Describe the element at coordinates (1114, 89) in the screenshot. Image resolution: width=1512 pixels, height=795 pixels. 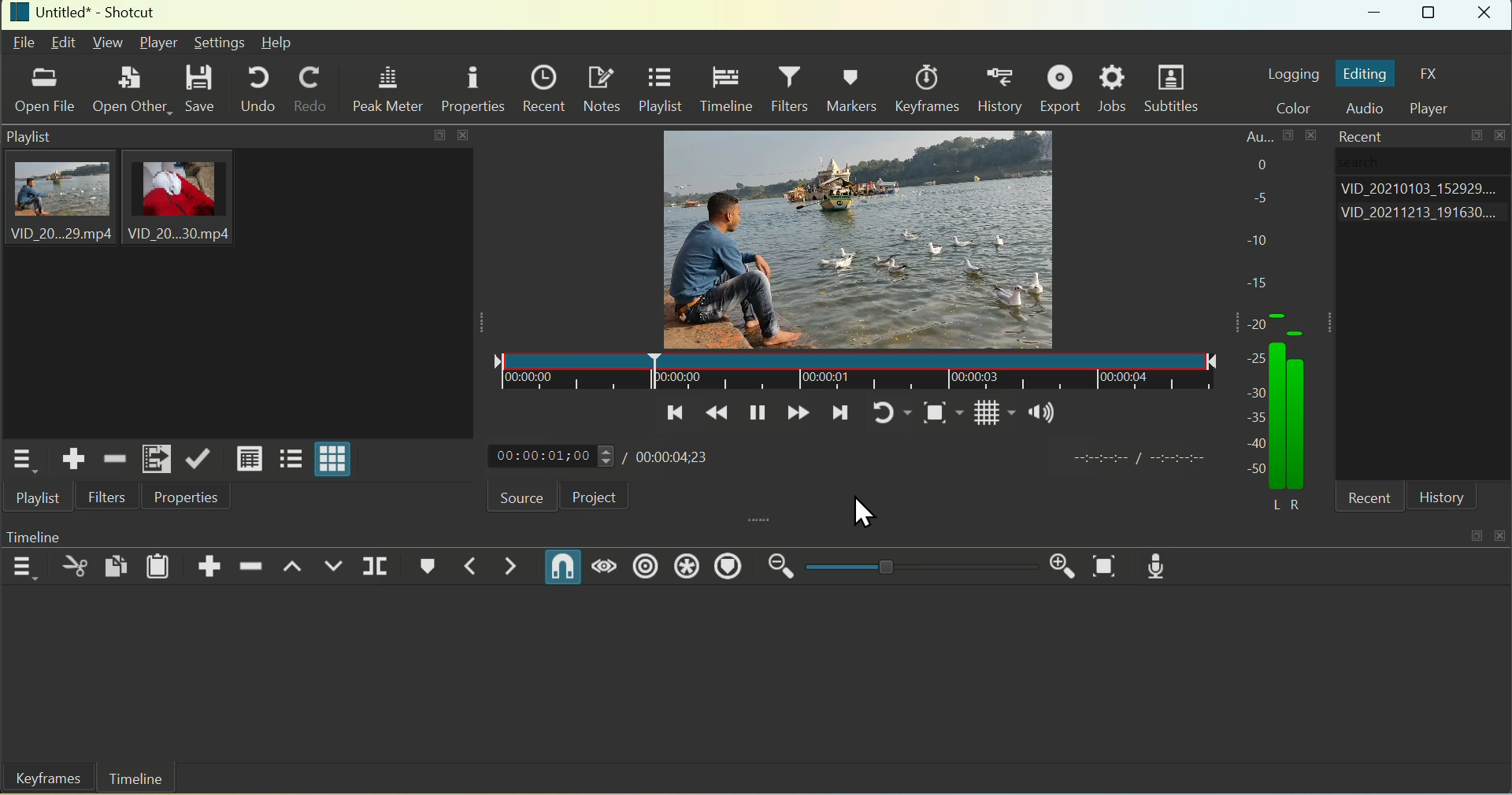
I see `Jobs` at that location.